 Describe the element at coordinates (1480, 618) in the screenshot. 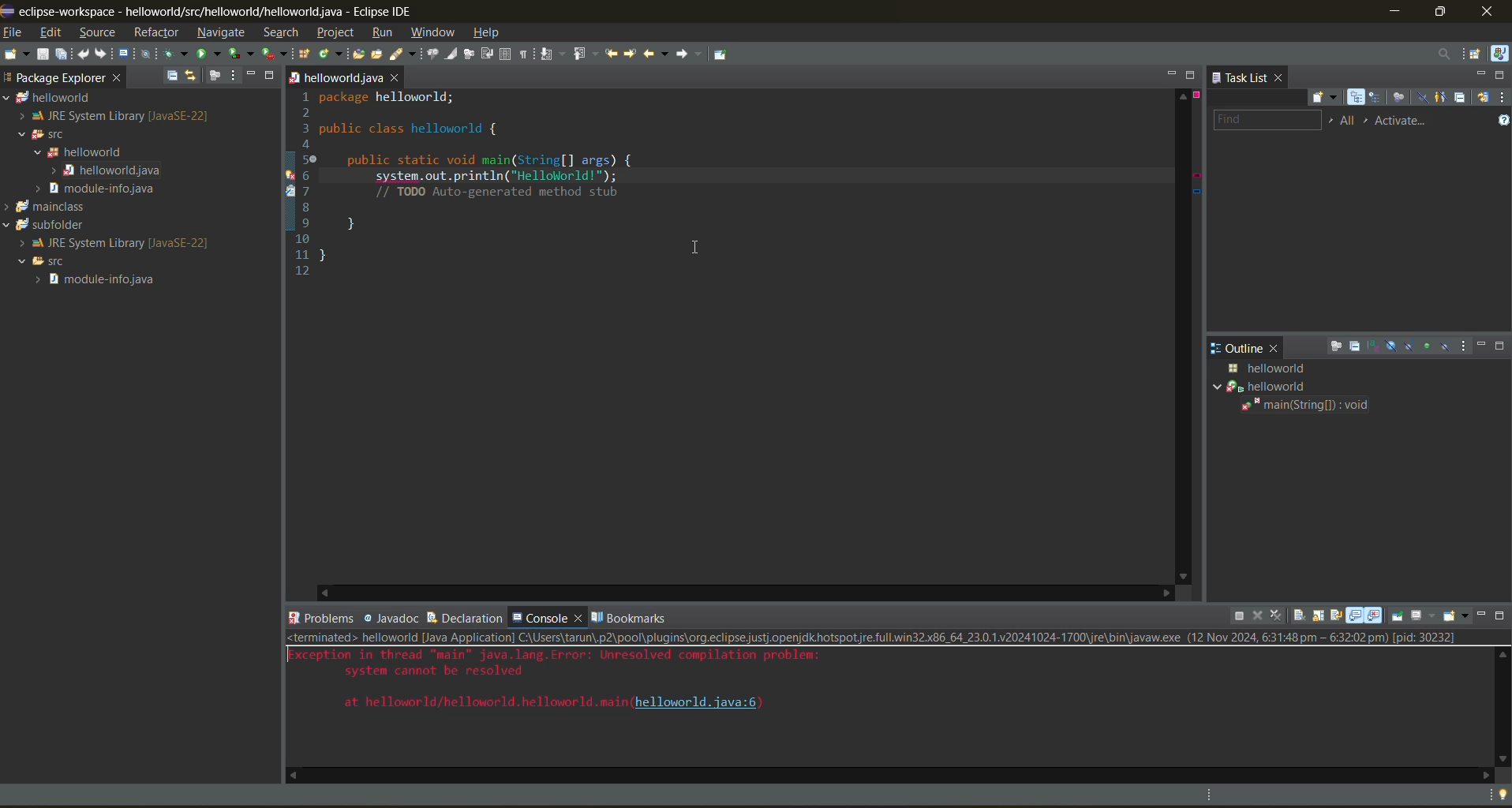

I see `minimize` at that location.